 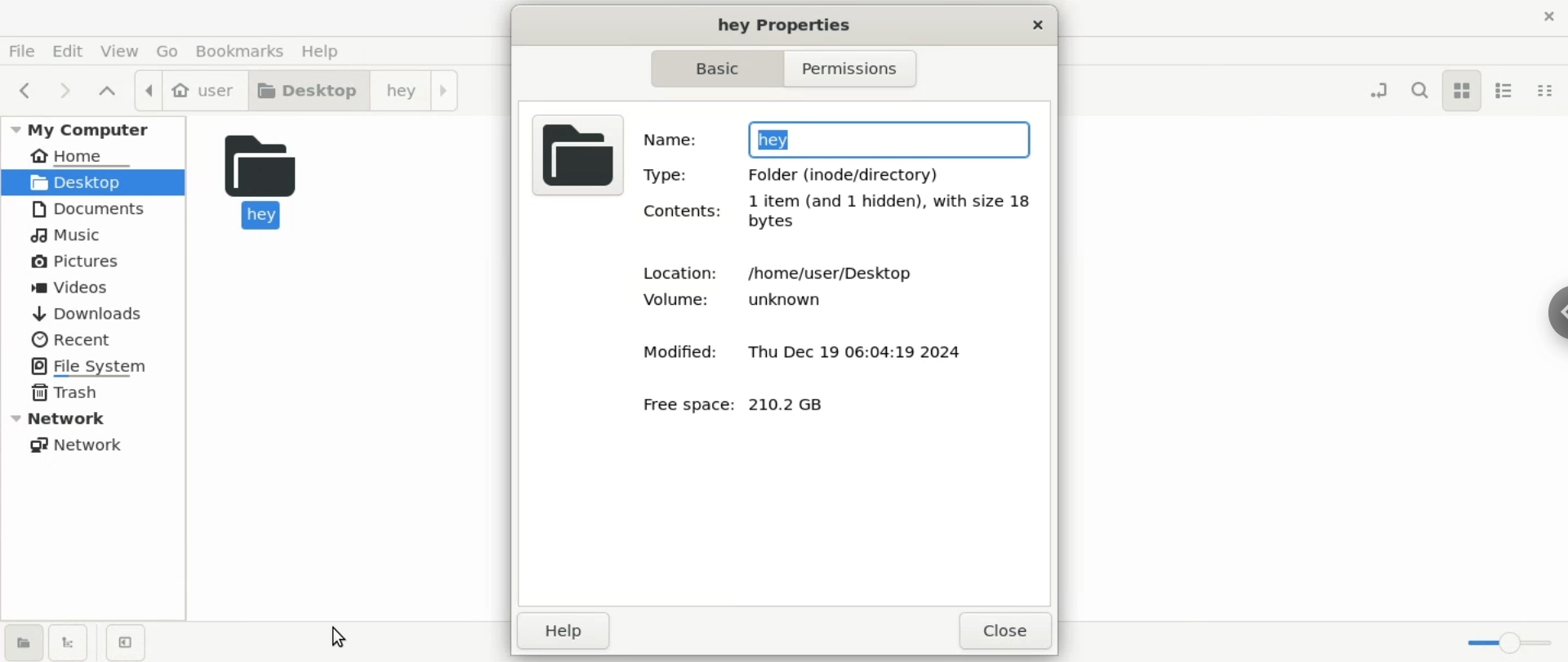 What do you see at coordinates (1029, 24) in the screenshot?
I see `close` at bounding box center [1029, 24].